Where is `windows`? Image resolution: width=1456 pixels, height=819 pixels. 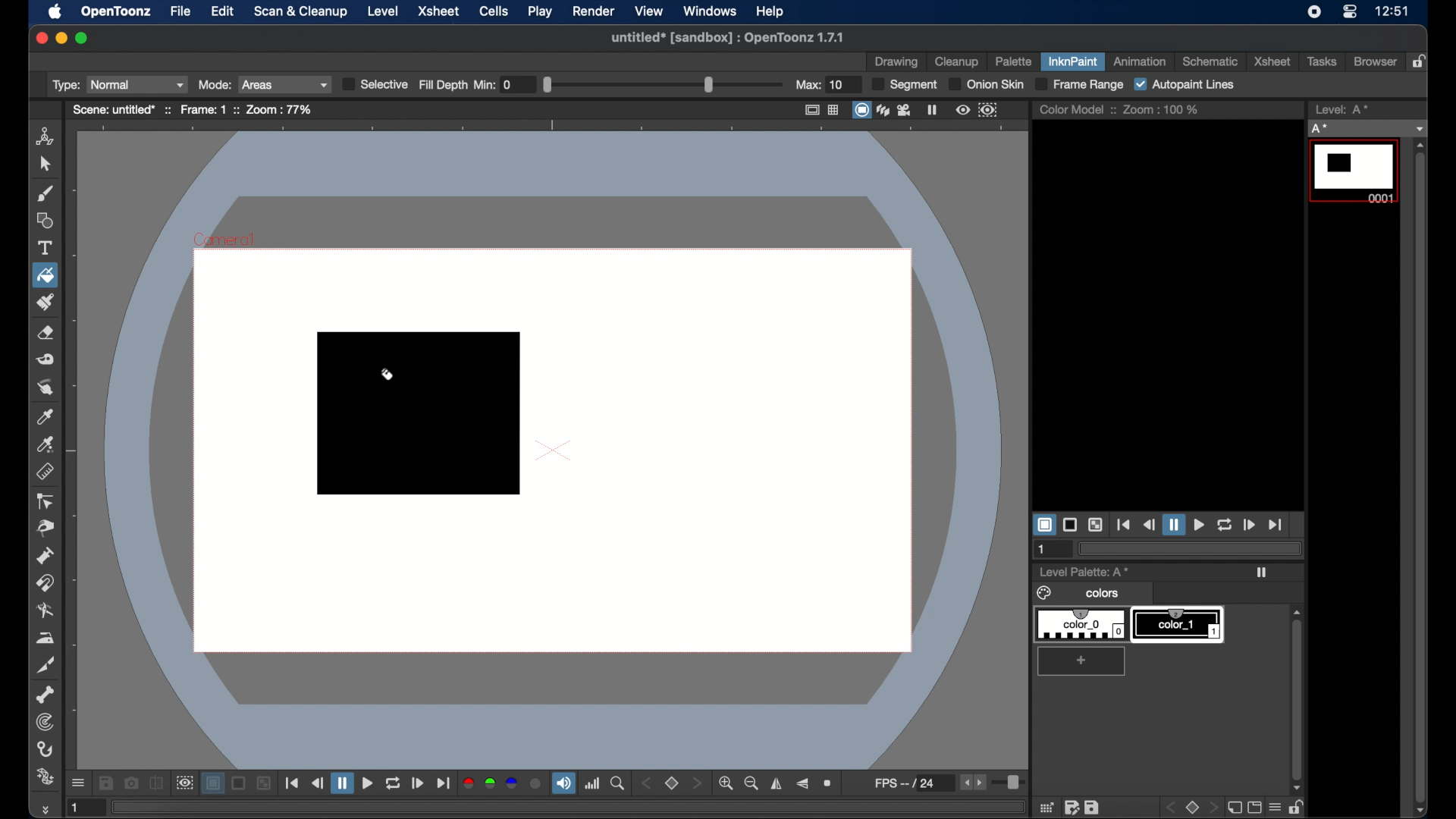
windows is located at coordinates (710, 11).